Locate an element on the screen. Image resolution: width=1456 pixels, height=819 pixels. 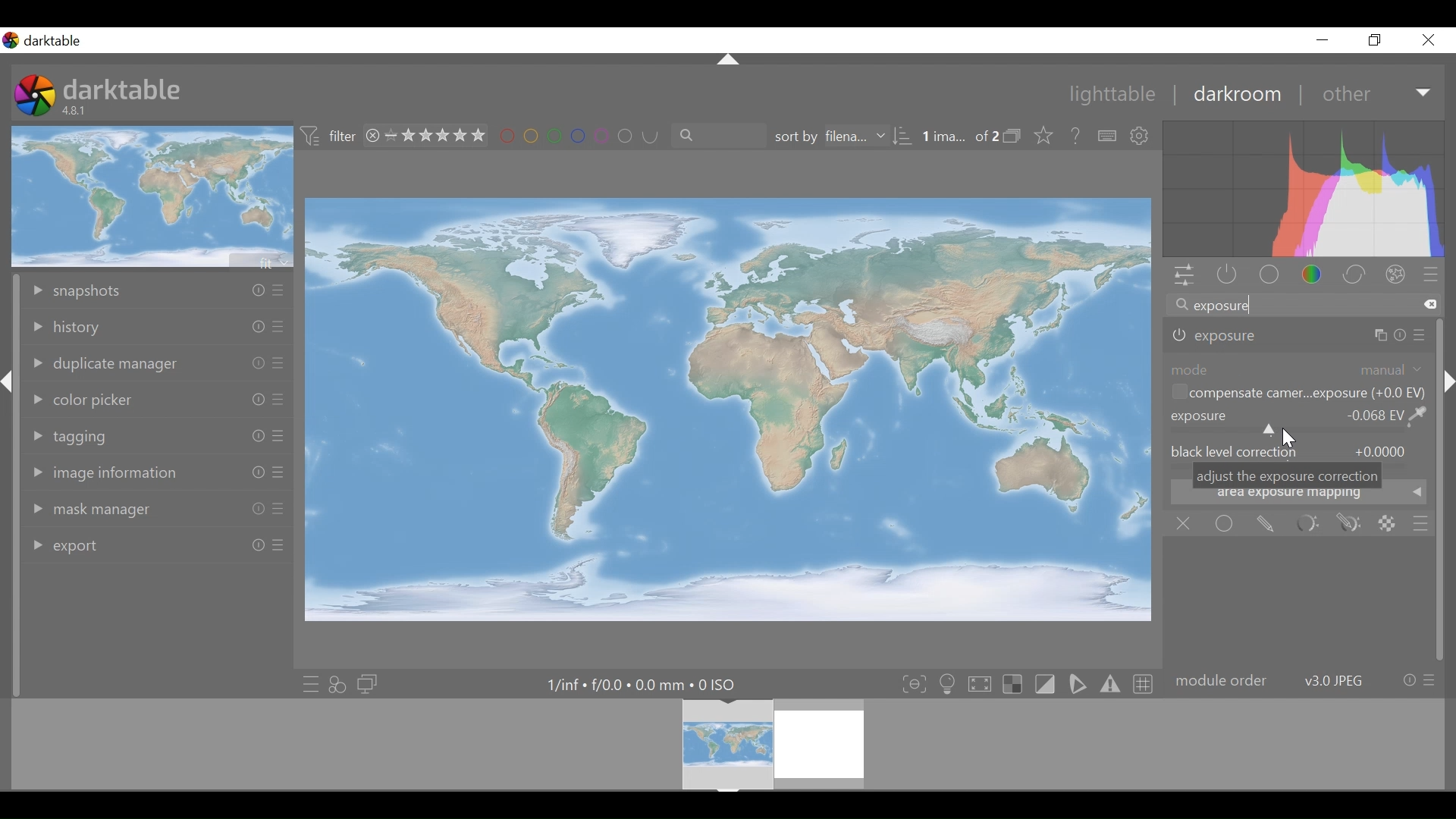
quick access panel is located at coordinates (1185, 276).